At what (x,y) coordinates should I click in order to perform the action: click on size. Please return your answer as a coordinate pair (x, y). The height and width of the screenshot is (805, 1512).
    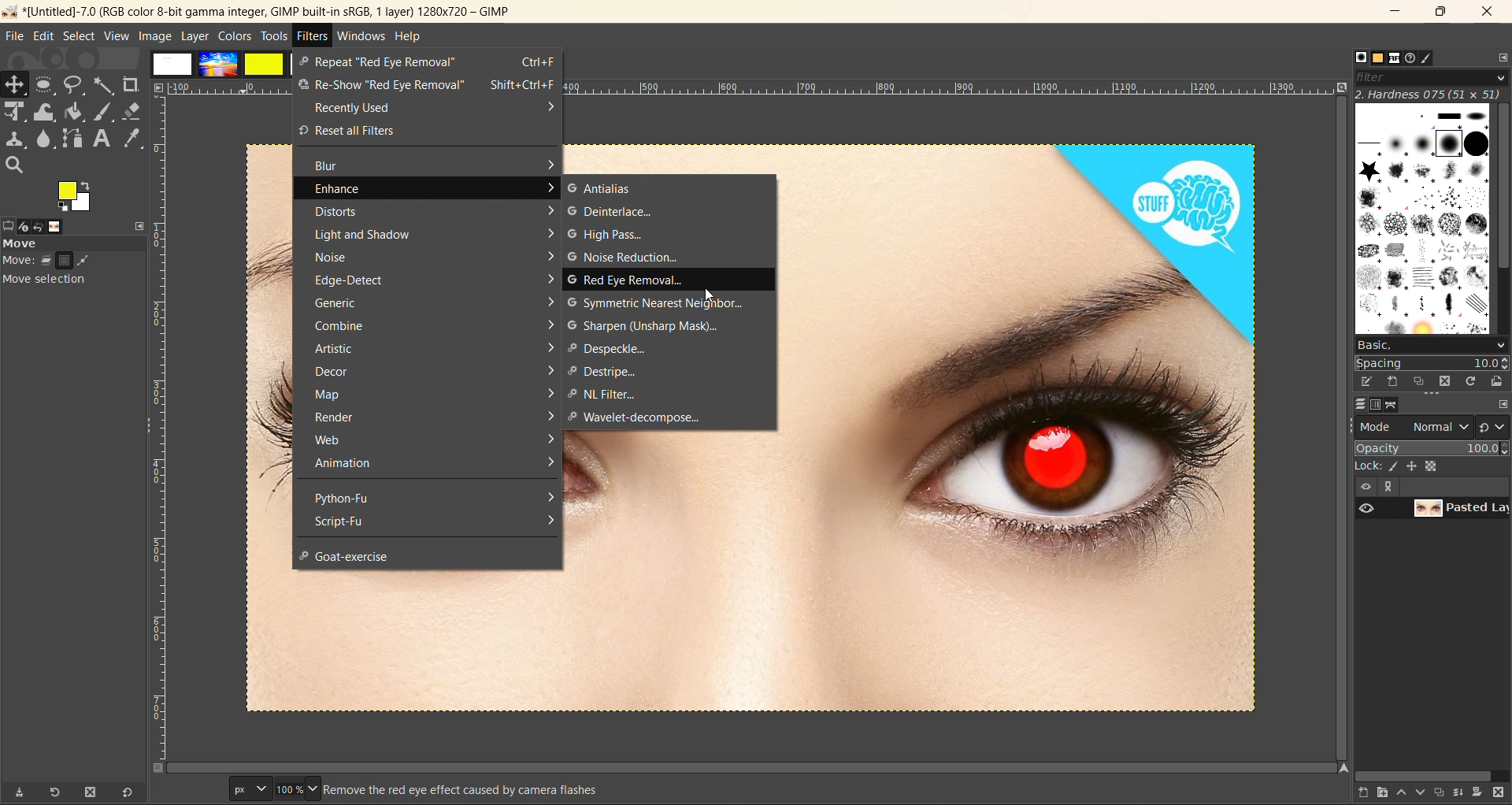
    Looking at the image, I should click on (273, 788).